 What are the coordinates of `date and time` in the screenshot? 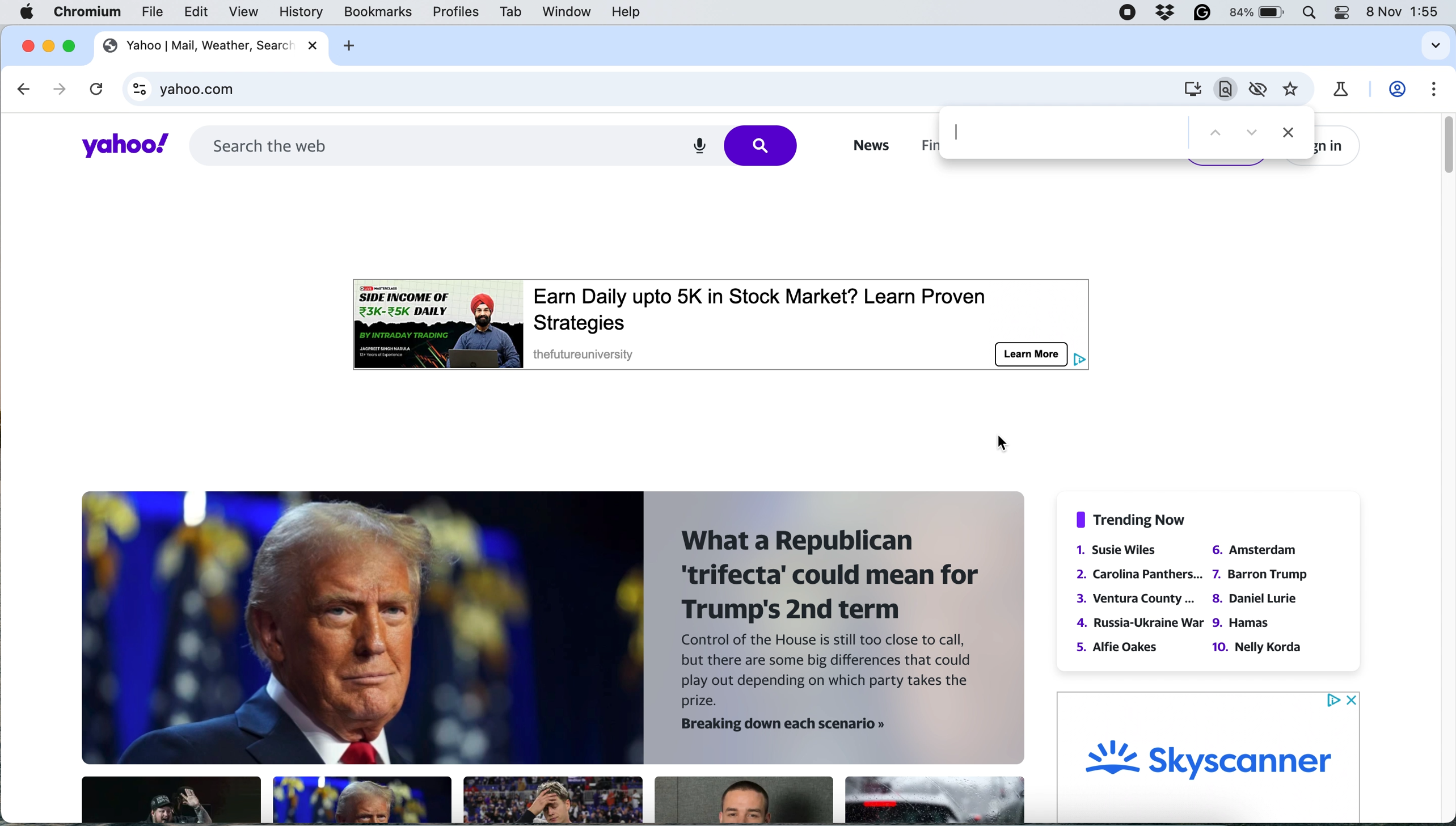 It's located at (1406, 12).